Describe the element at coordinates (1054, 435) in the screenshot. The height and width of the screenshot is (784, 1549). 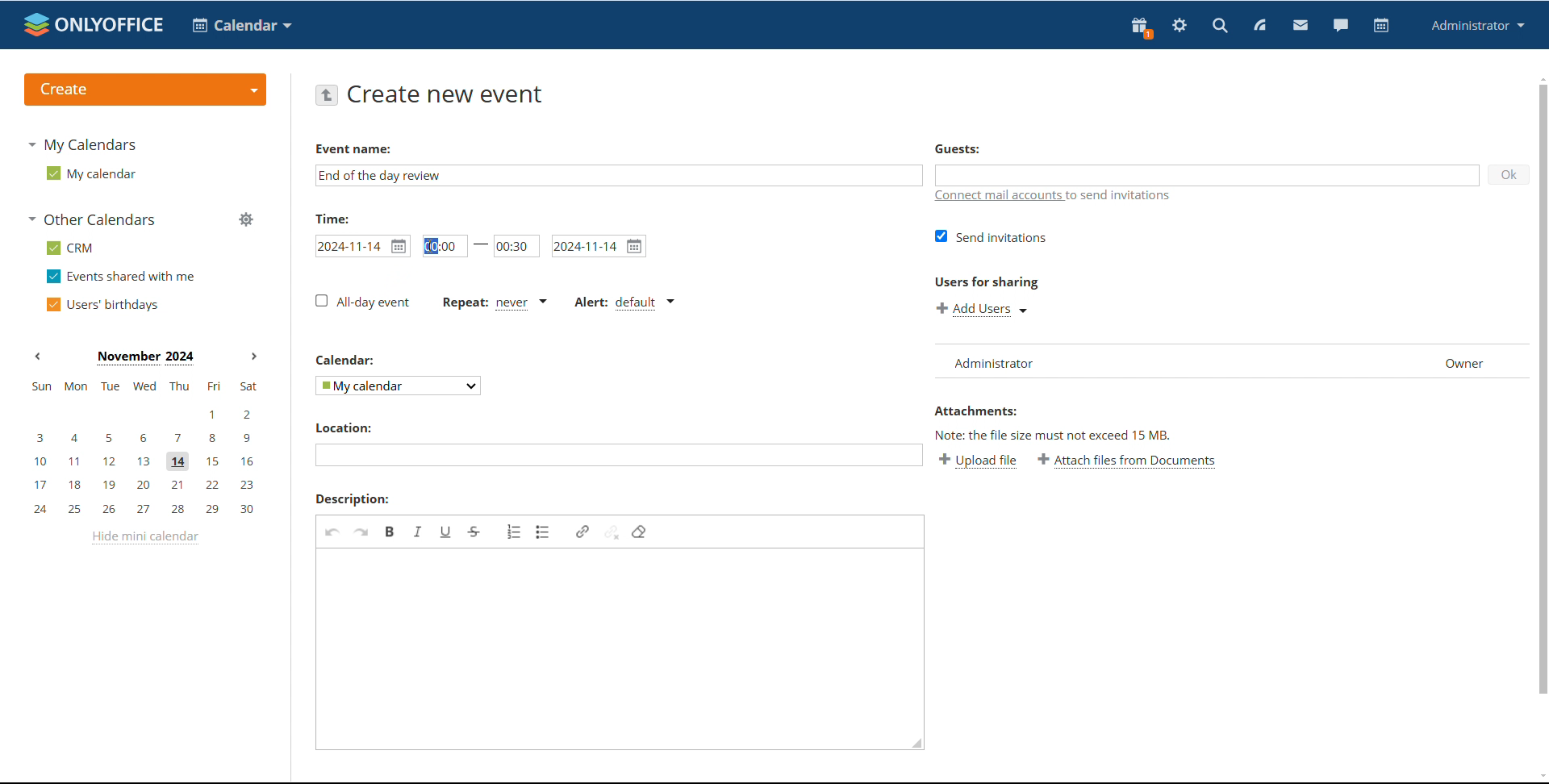
I see `Note: the file size must not exceed 15 mb` at that location.